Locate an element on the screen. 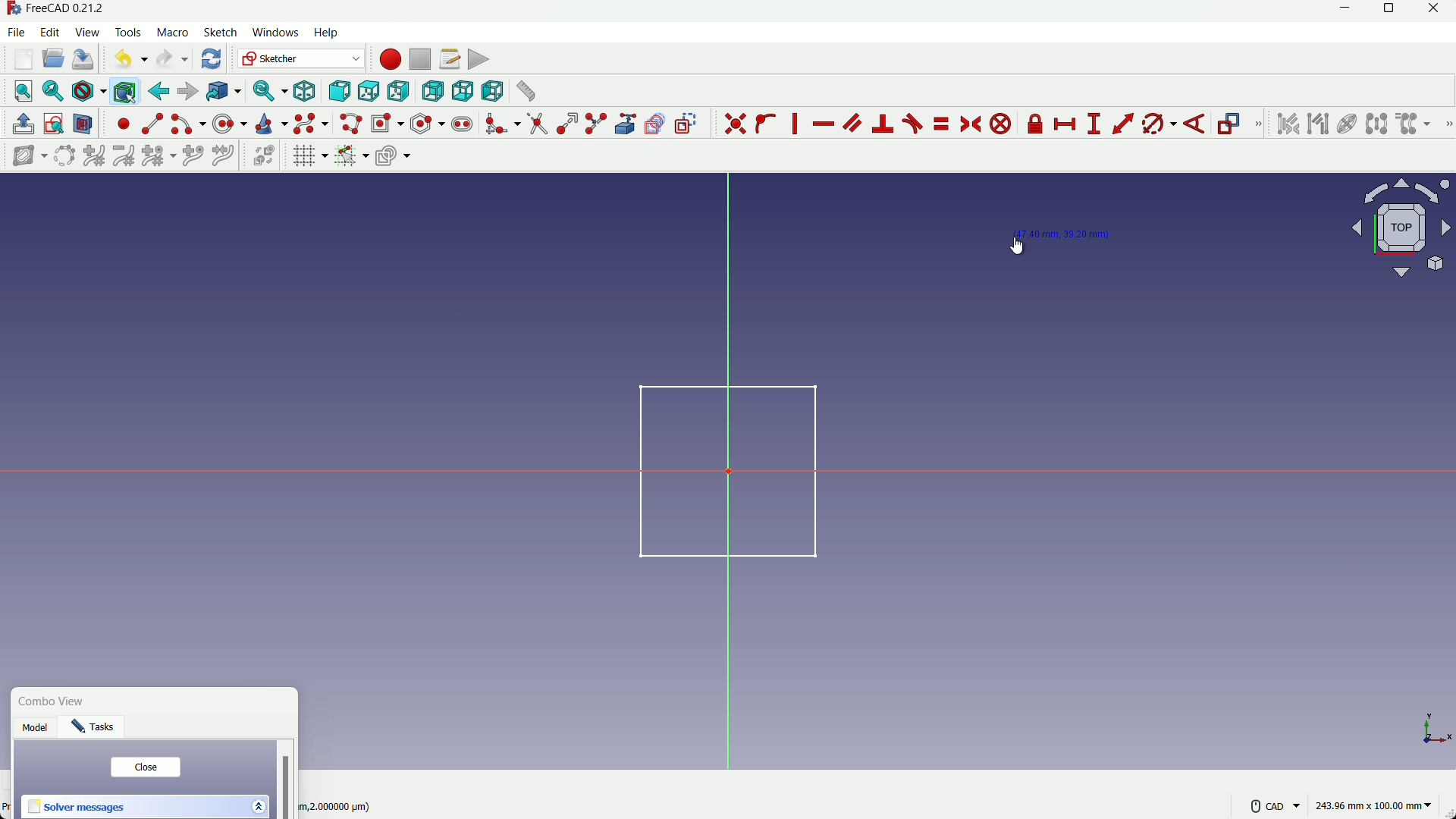 This screenshot has width=1456, height=819. constraint parallel is located at coordinates (852, 121).